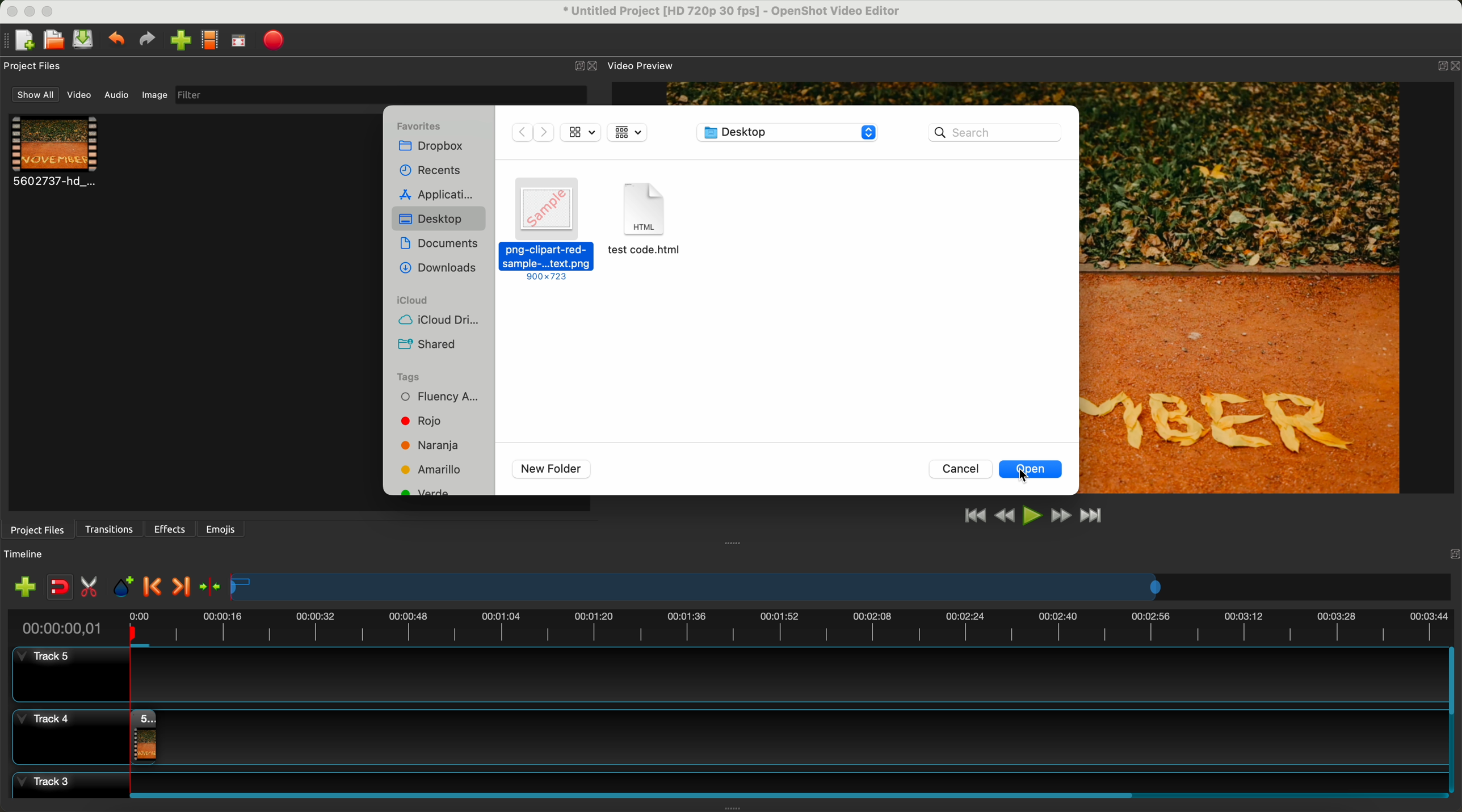 Image resolution: width=1462 pixels, height=812 pixels. What do you see at coordinates (430, 149) in the screenshot?
I see `dropbox` at bounding box center [430, 149].